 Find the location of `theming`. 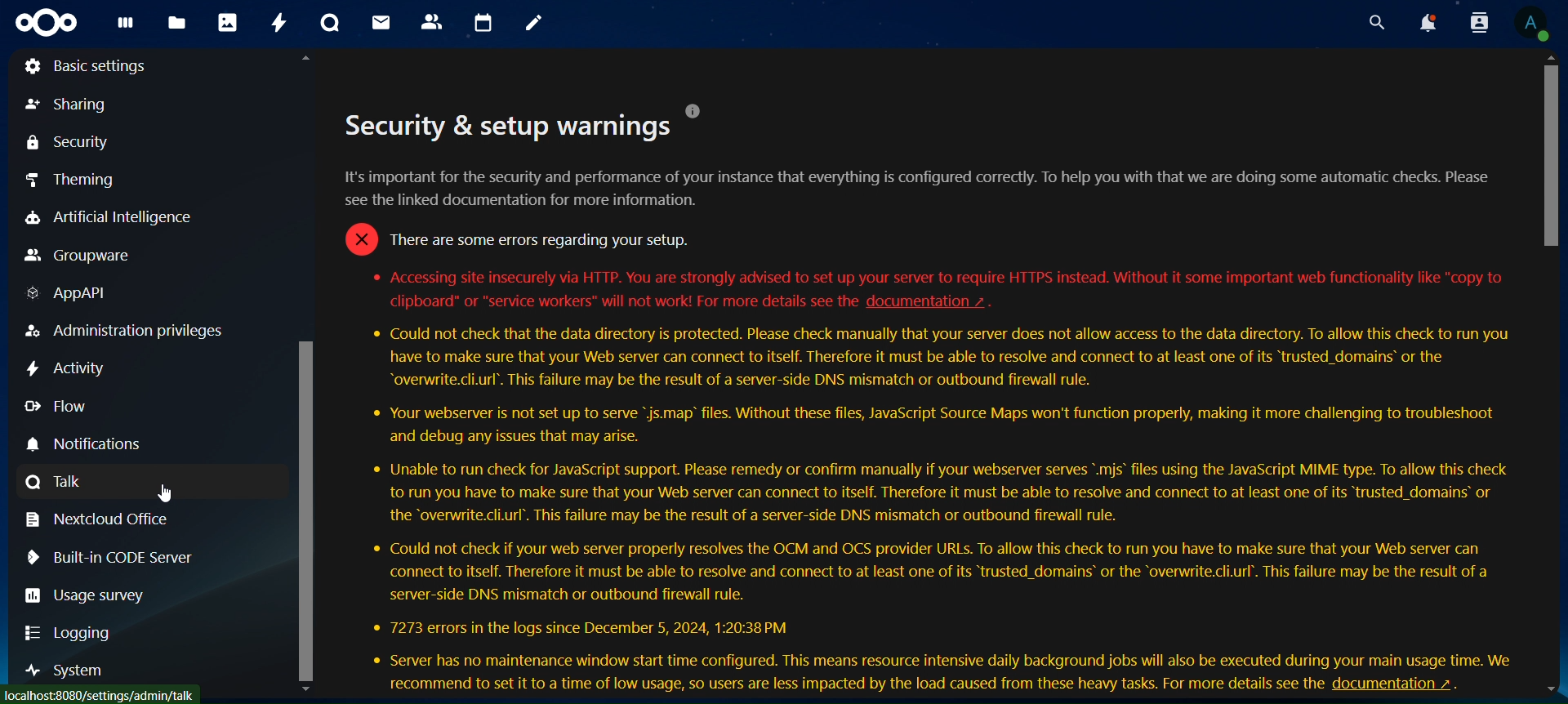

theming is located at coordinates (75, 180).